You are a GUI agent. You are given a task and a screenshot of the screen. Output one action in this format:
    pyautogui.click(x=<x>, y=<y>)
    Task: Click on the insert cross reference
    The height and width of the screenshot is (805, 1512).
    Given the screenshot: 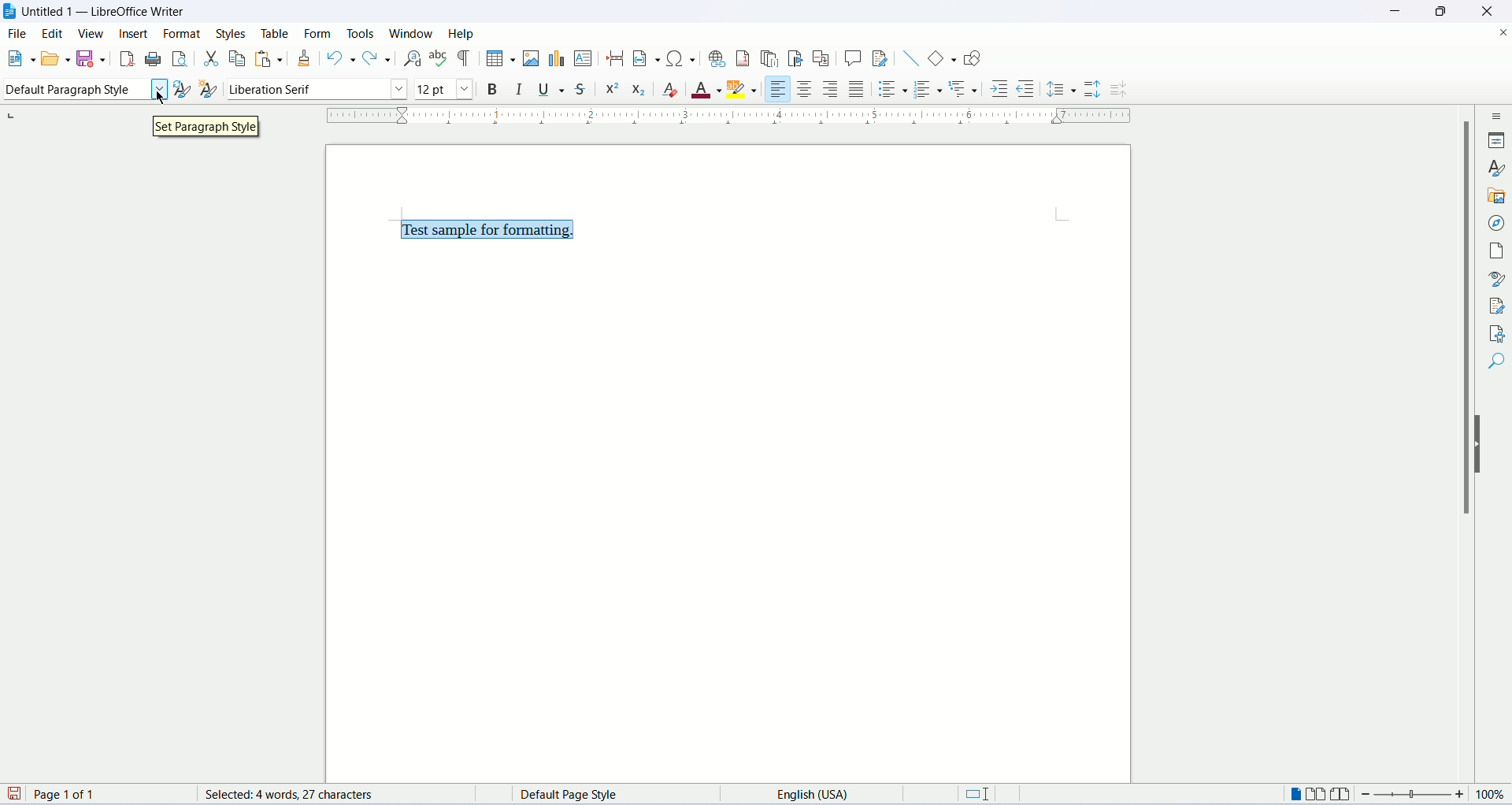 What is the action you would take?
    pyautogui.click(x=821, y=58)
    